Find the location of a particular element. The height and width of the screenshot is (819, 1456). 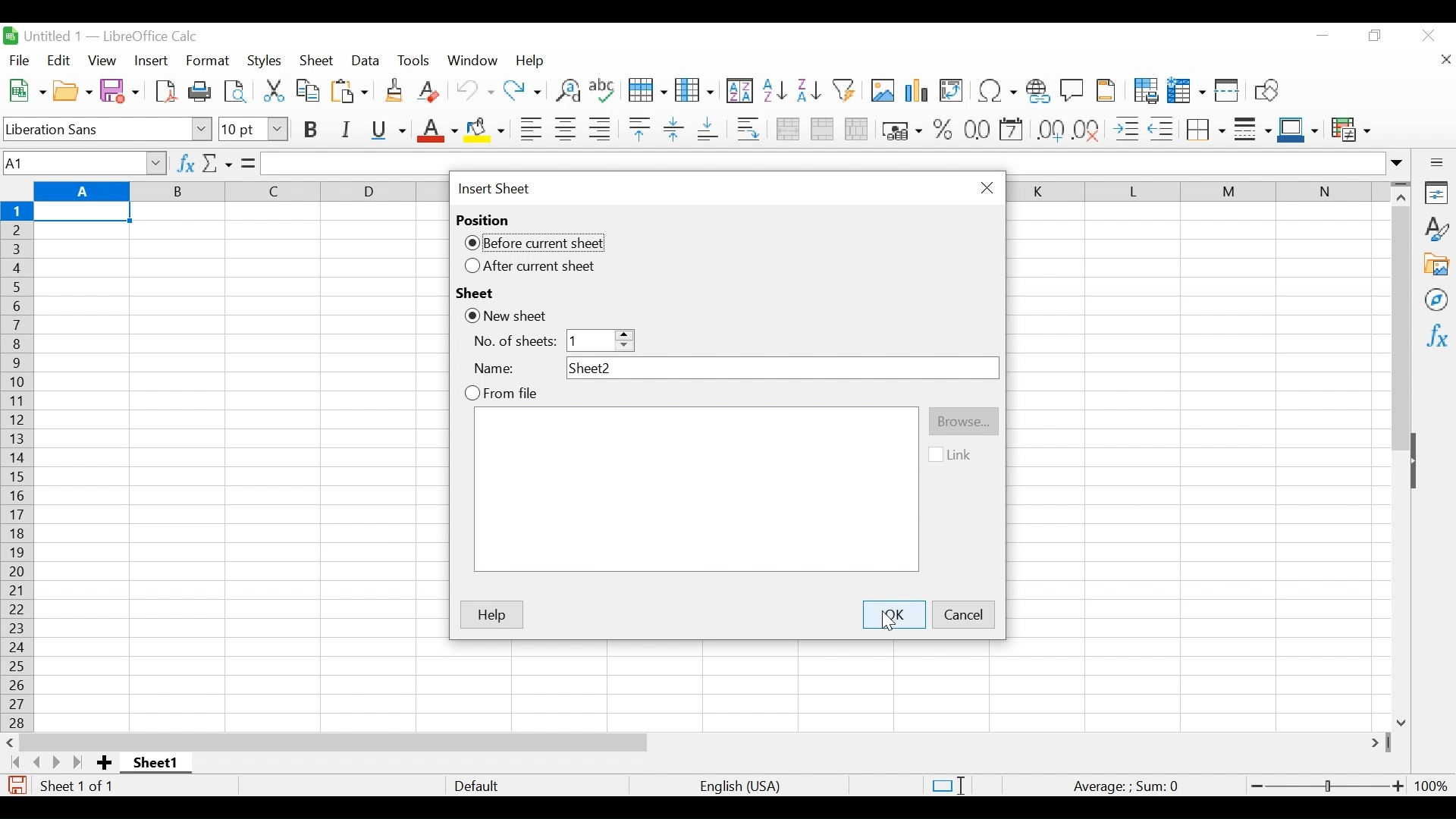

Decrease indent is located at coordinates (1163, 129).